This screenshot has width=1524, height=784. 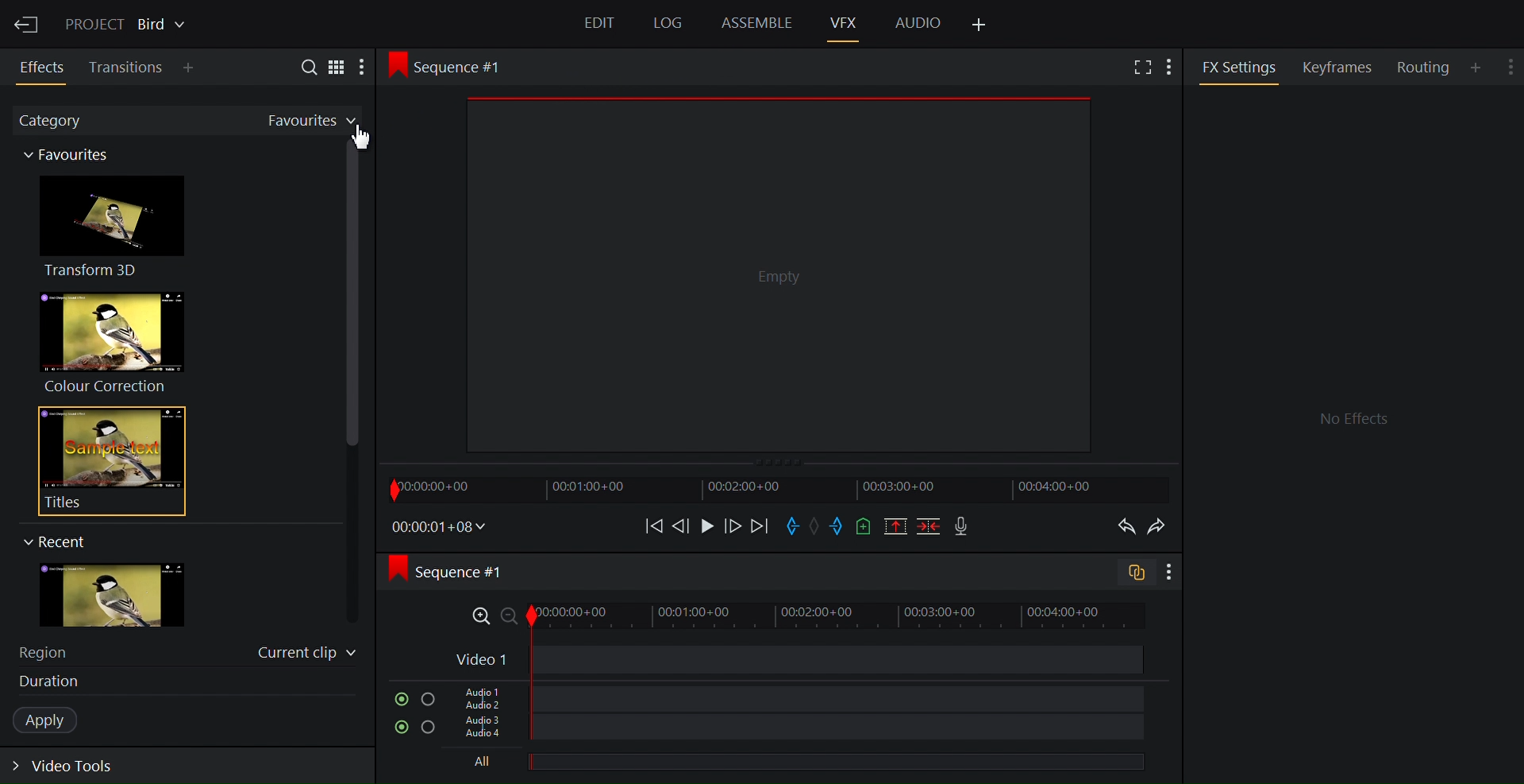 What do you see at coordinates (1141, 68) in the screenshot?
I see `Full screen` at bounding box center [1141, 68].